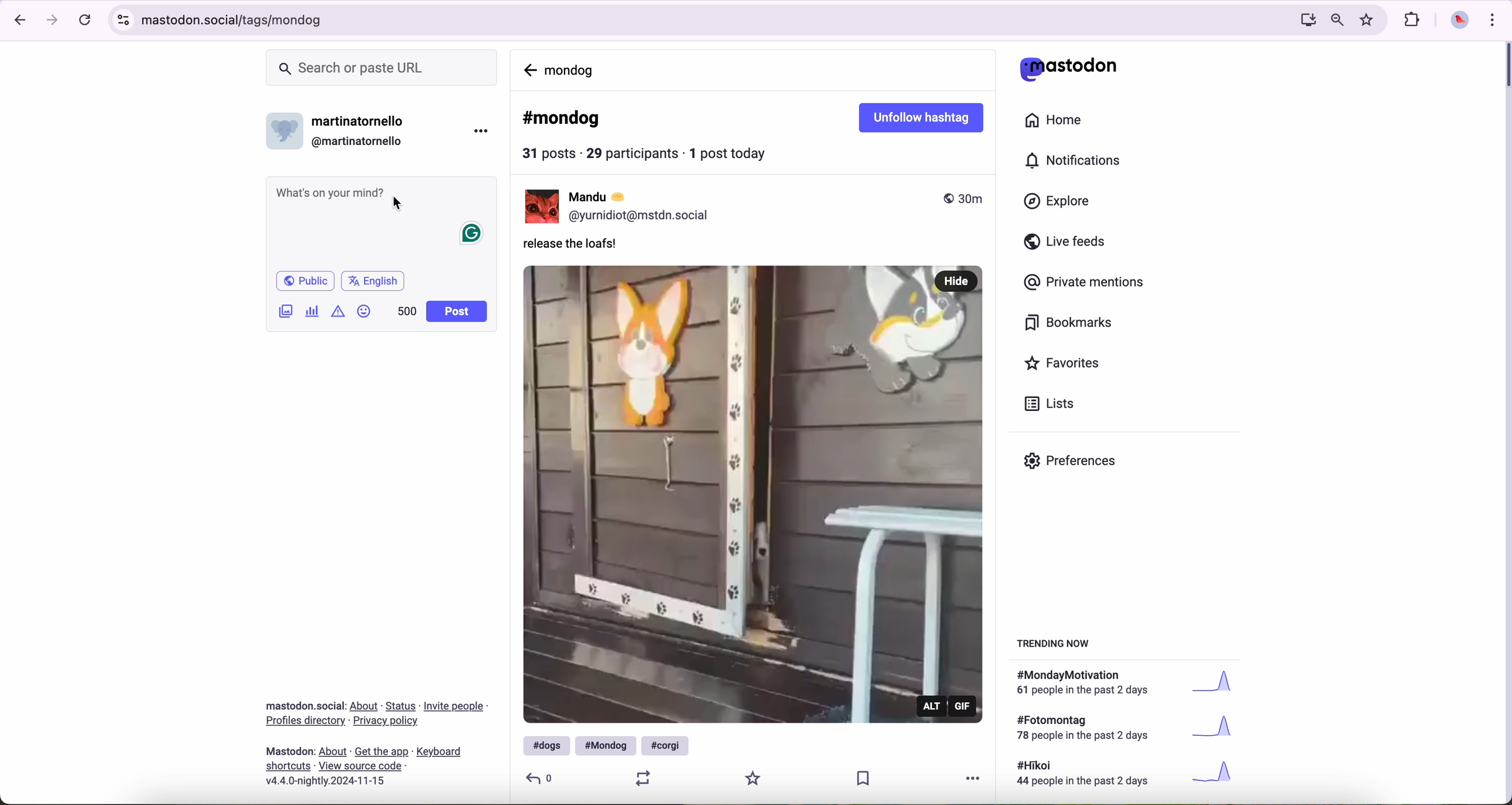 This screenshot has height=805, width=1512. I want to click on published 30m ago, so click(963, 198).